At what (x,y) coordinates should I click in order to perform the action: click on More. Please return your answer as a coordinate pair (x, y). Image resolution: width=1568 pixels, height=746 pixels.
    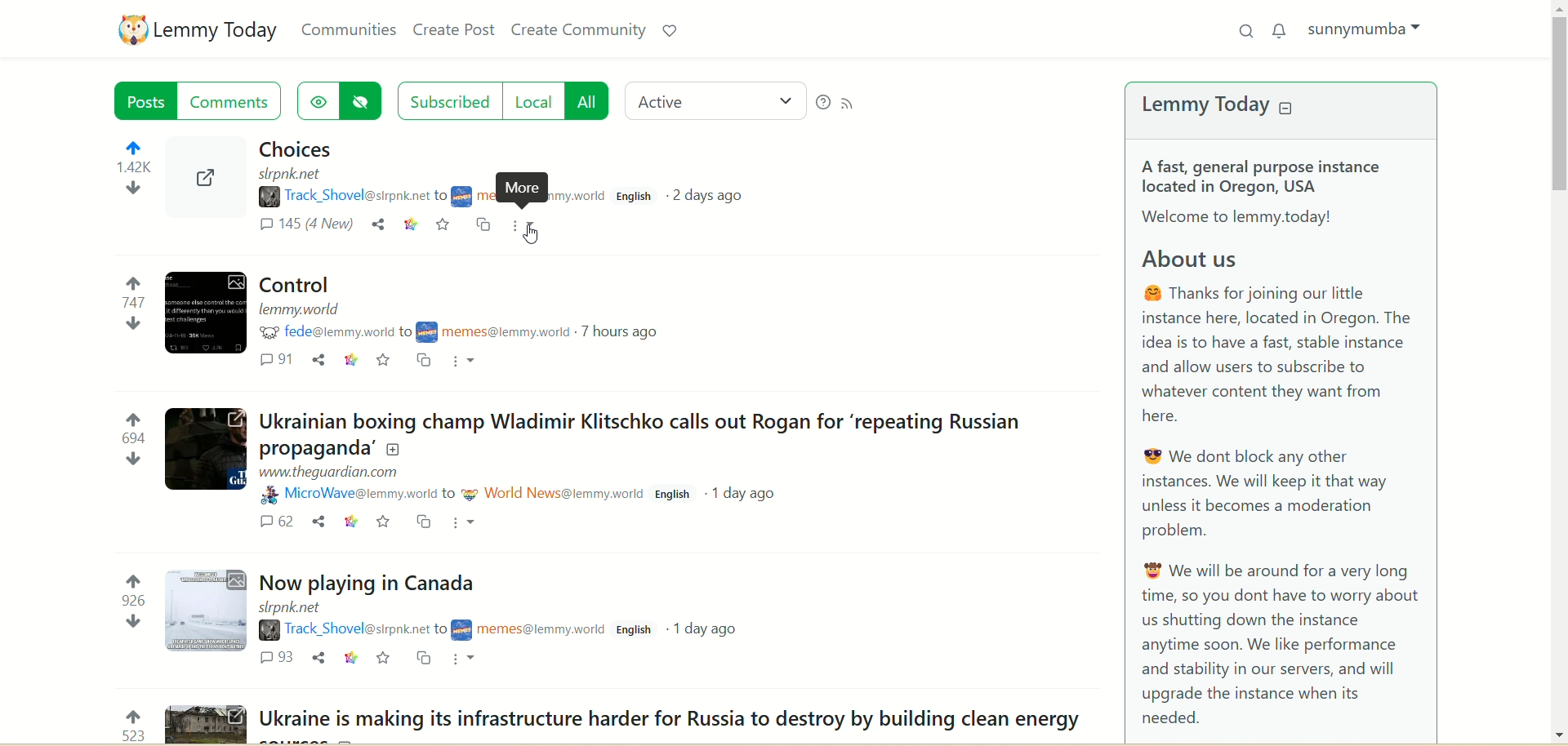
    Looking at the image, I should click on (467, 525).